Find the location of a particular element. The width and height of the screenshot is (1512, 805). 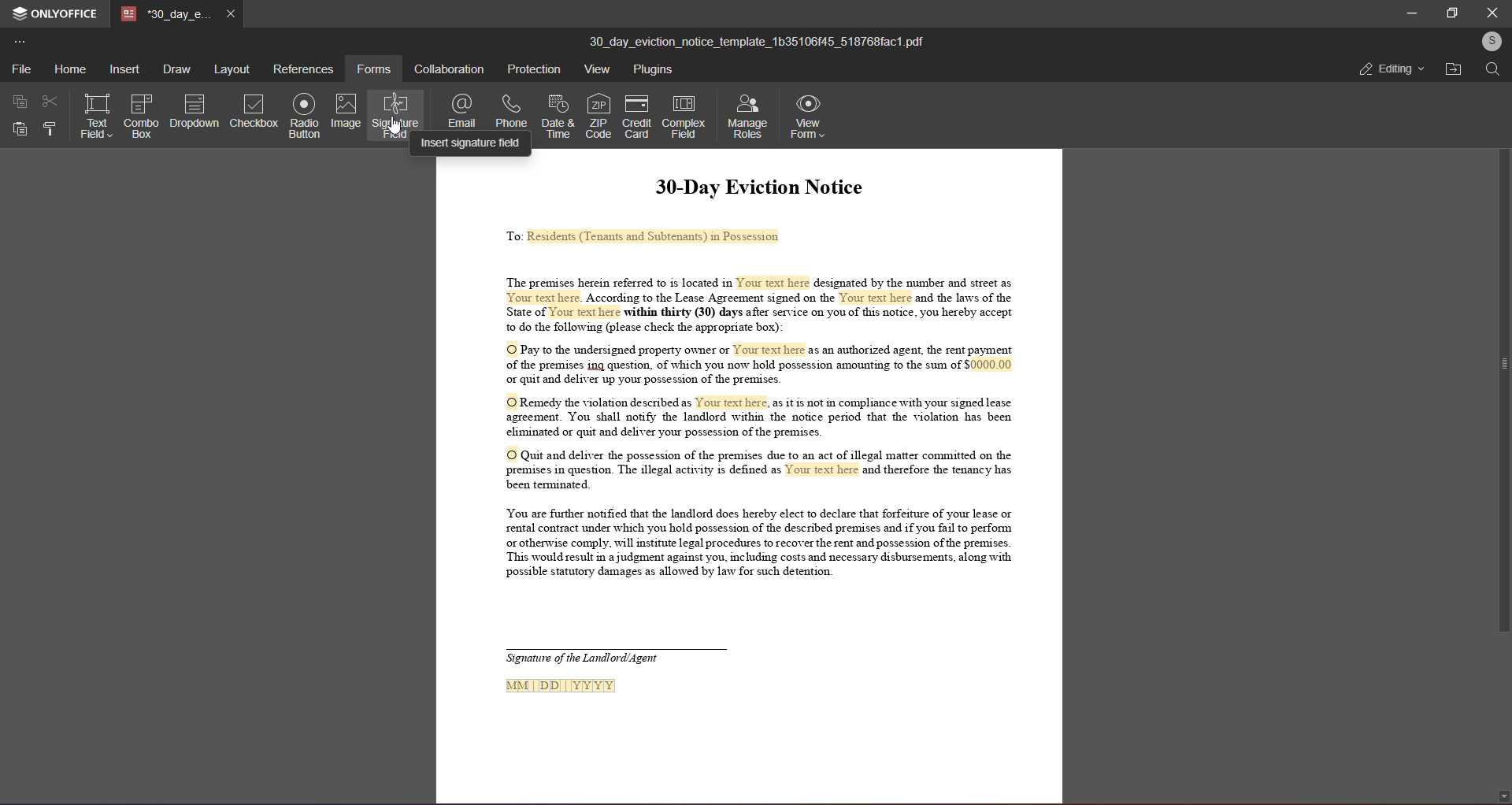

protection is located at coordinates (533, 69).